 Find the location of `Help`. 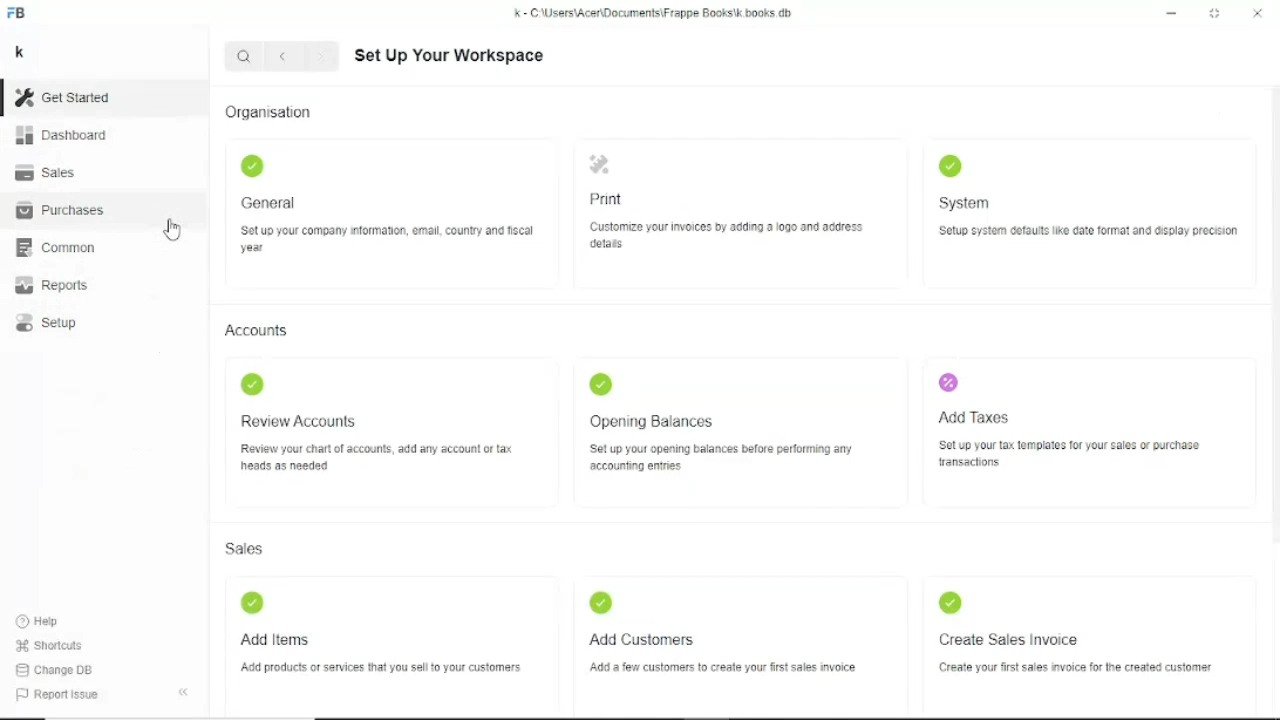

Help is located at coordinates (39, 620).